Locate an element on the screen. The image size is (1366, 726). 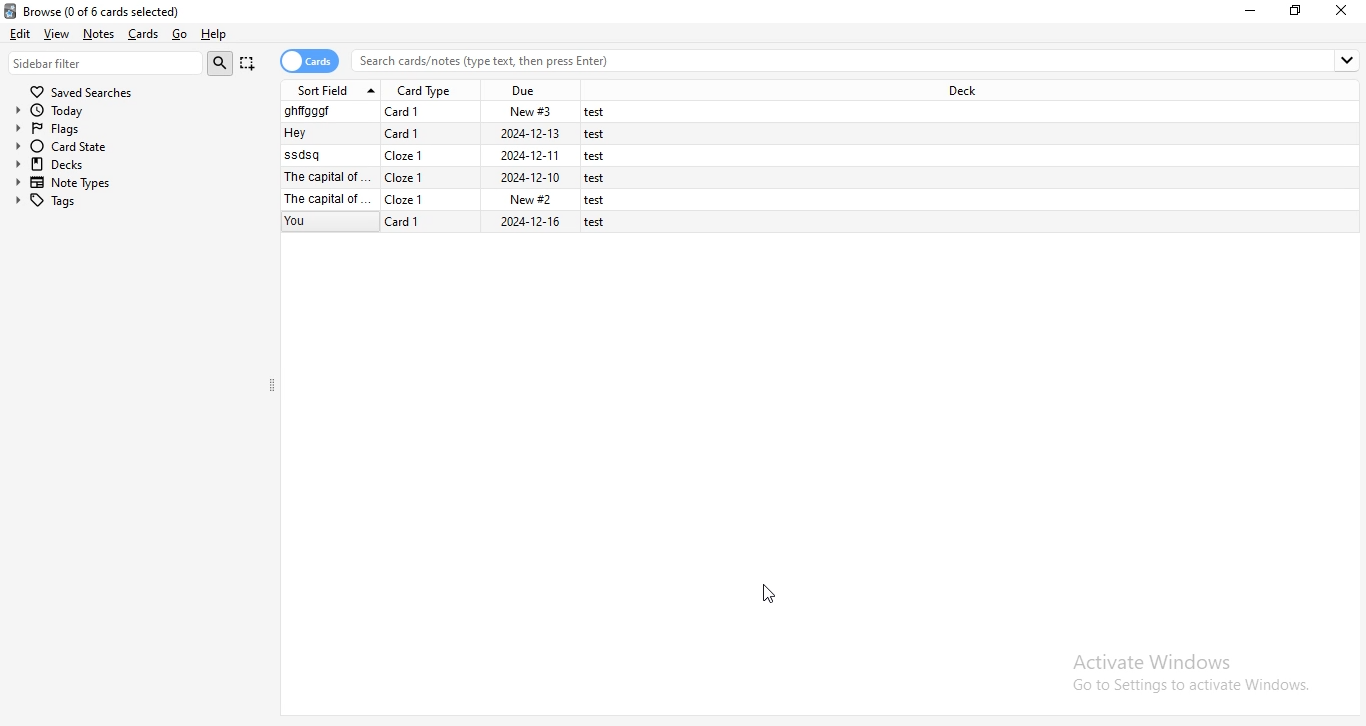
Maximize is located at coordinates (1299, 11).